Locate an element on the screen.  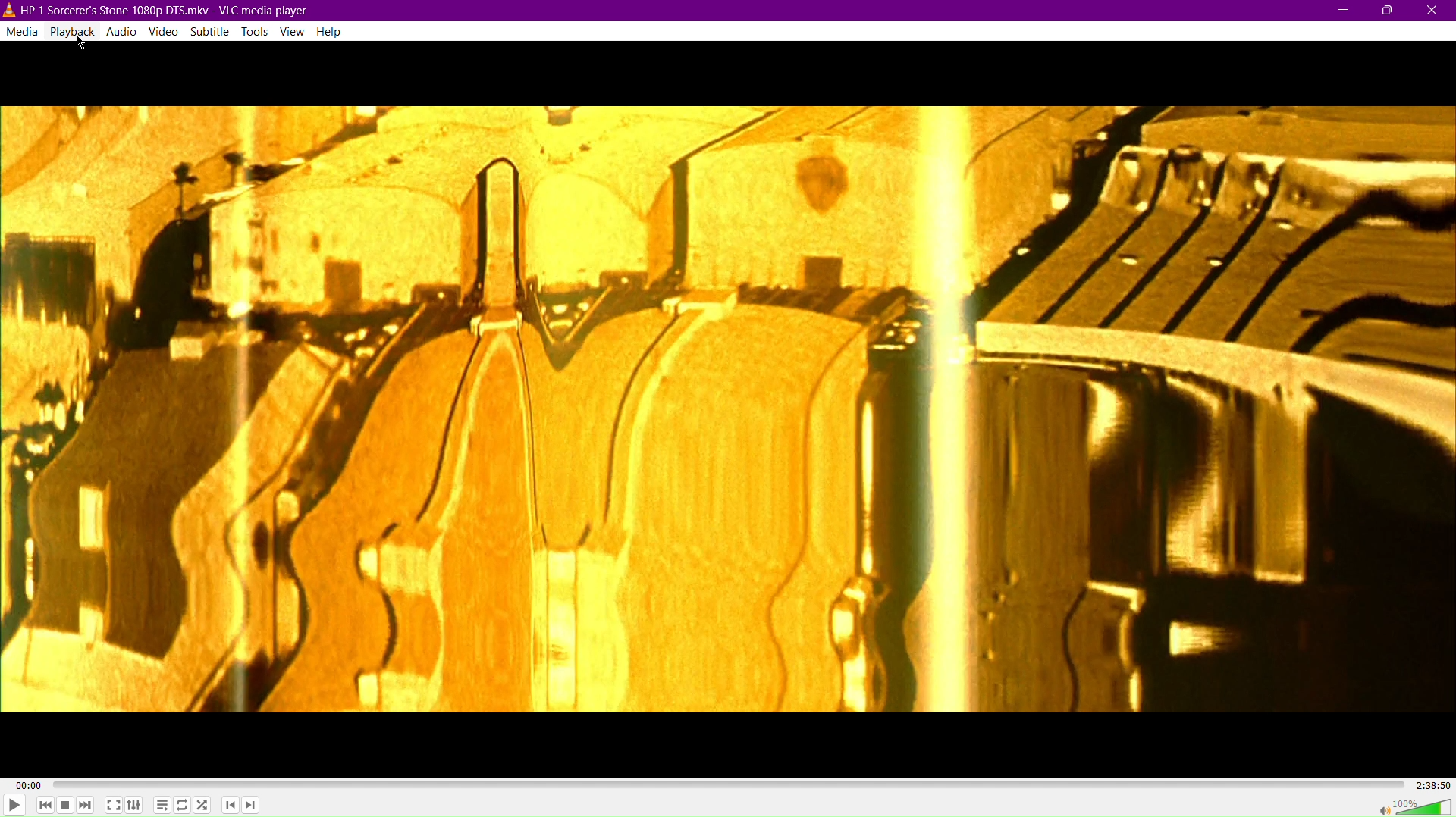
Close is located at coordinates (1433, 10).